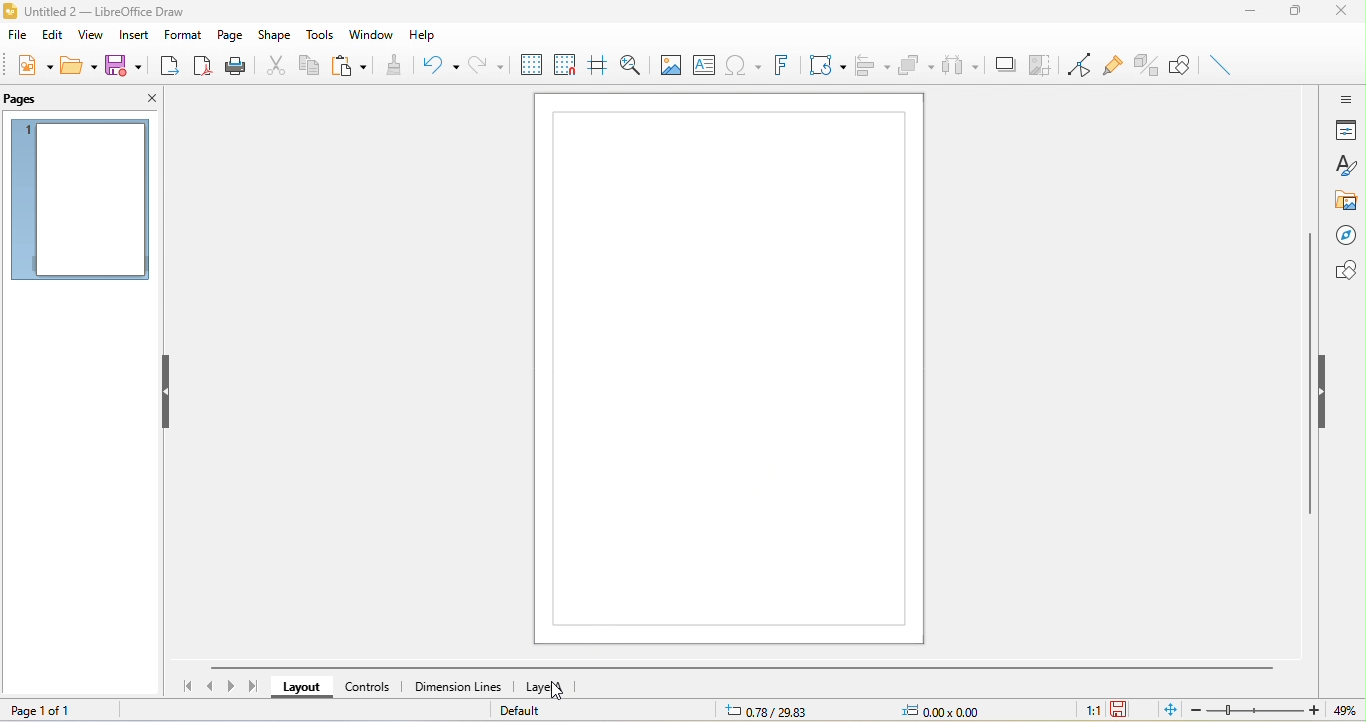 This screenshot has width=1366, height=722. Describe the element at coordinates (170, 65) in the screenshot. I see `export` at that location.